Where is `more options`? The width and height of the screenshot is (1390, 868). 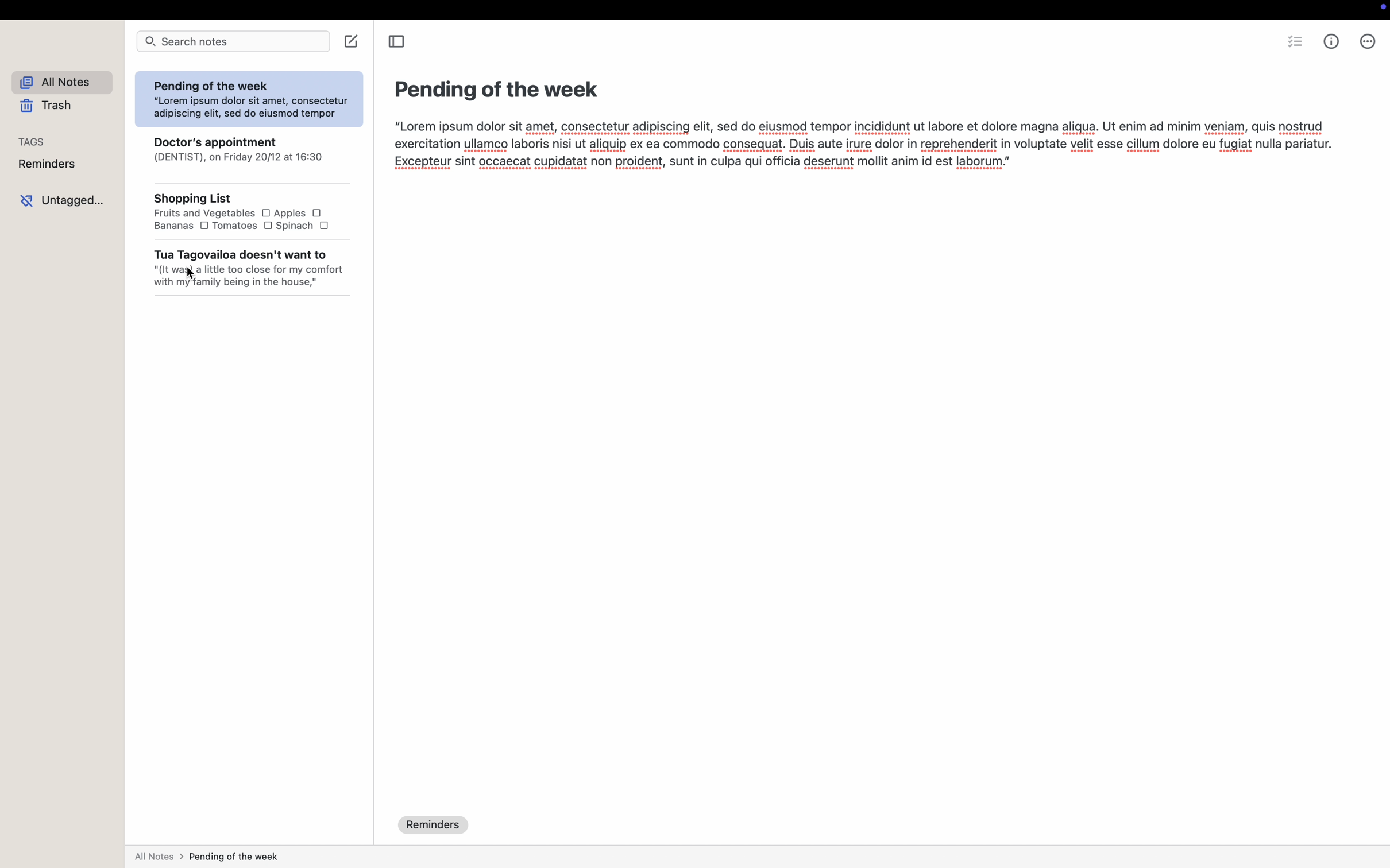
more options is located at coordinates (1366, 41).